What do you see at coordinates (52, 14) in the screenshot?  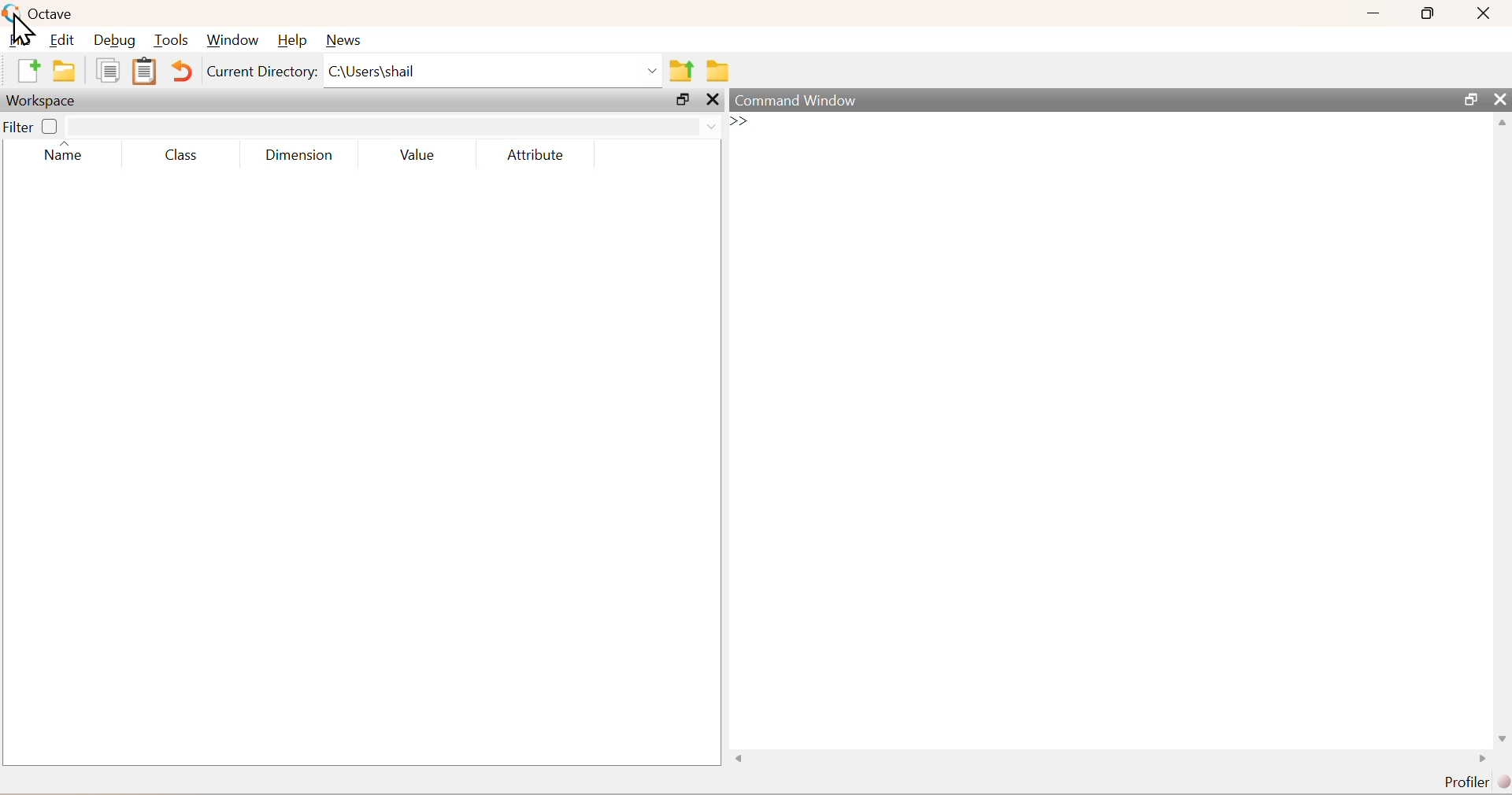 I see `Octave` at bounding box center [52, 14].